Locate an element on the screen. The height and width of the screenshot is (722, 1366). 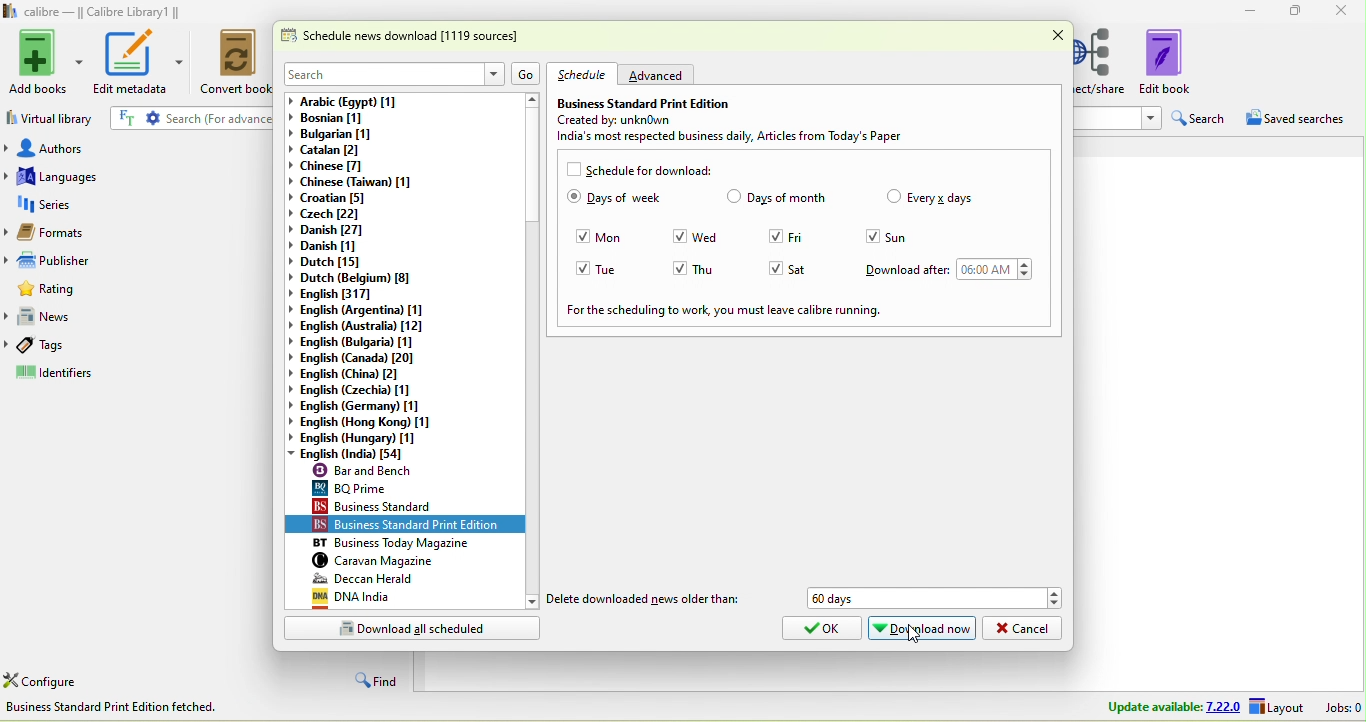
every days is located at coordinates (940, 198).